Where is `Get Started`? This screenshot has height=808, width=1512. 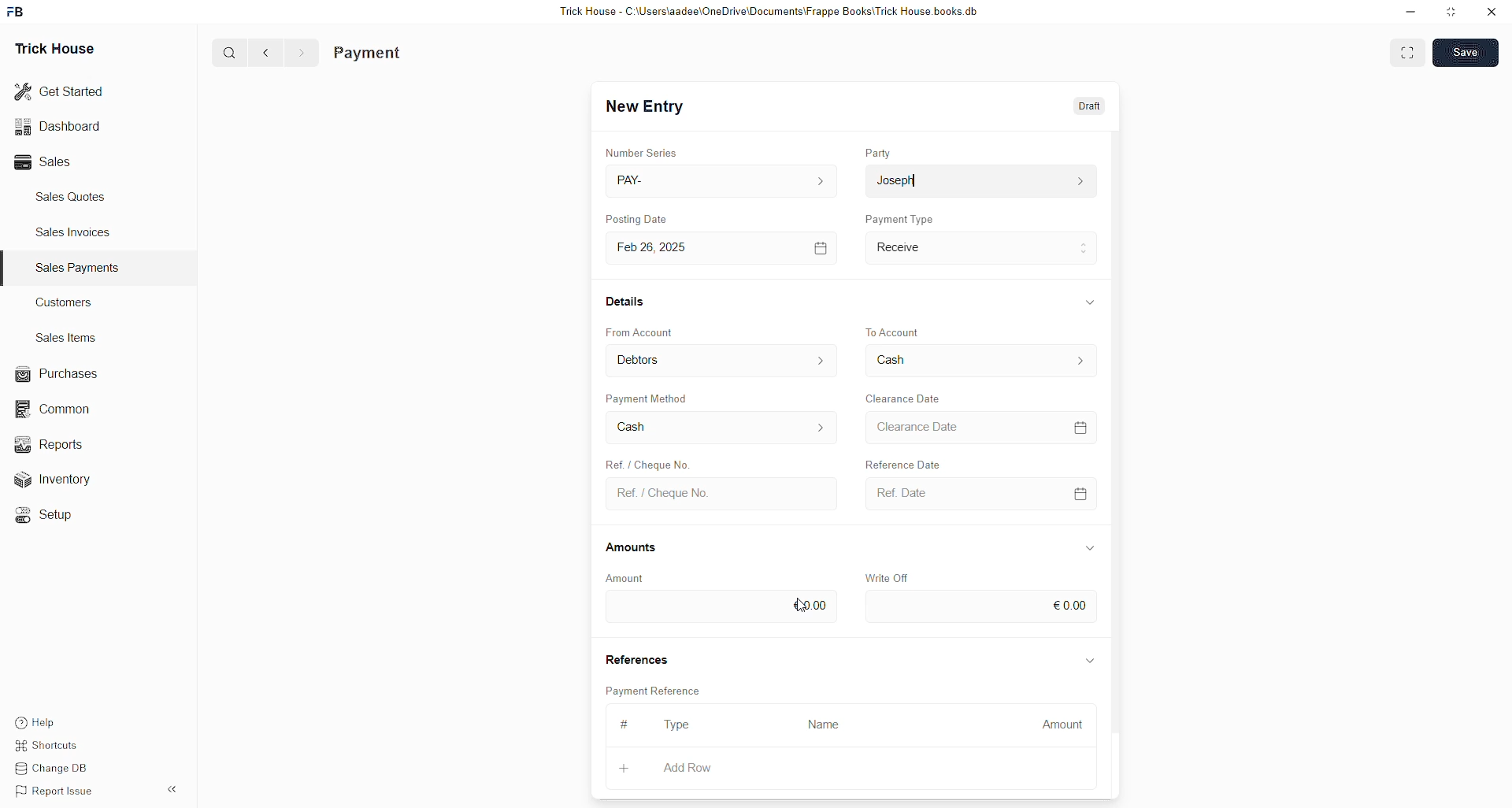 Get Started is located at coordinates (60, 92).